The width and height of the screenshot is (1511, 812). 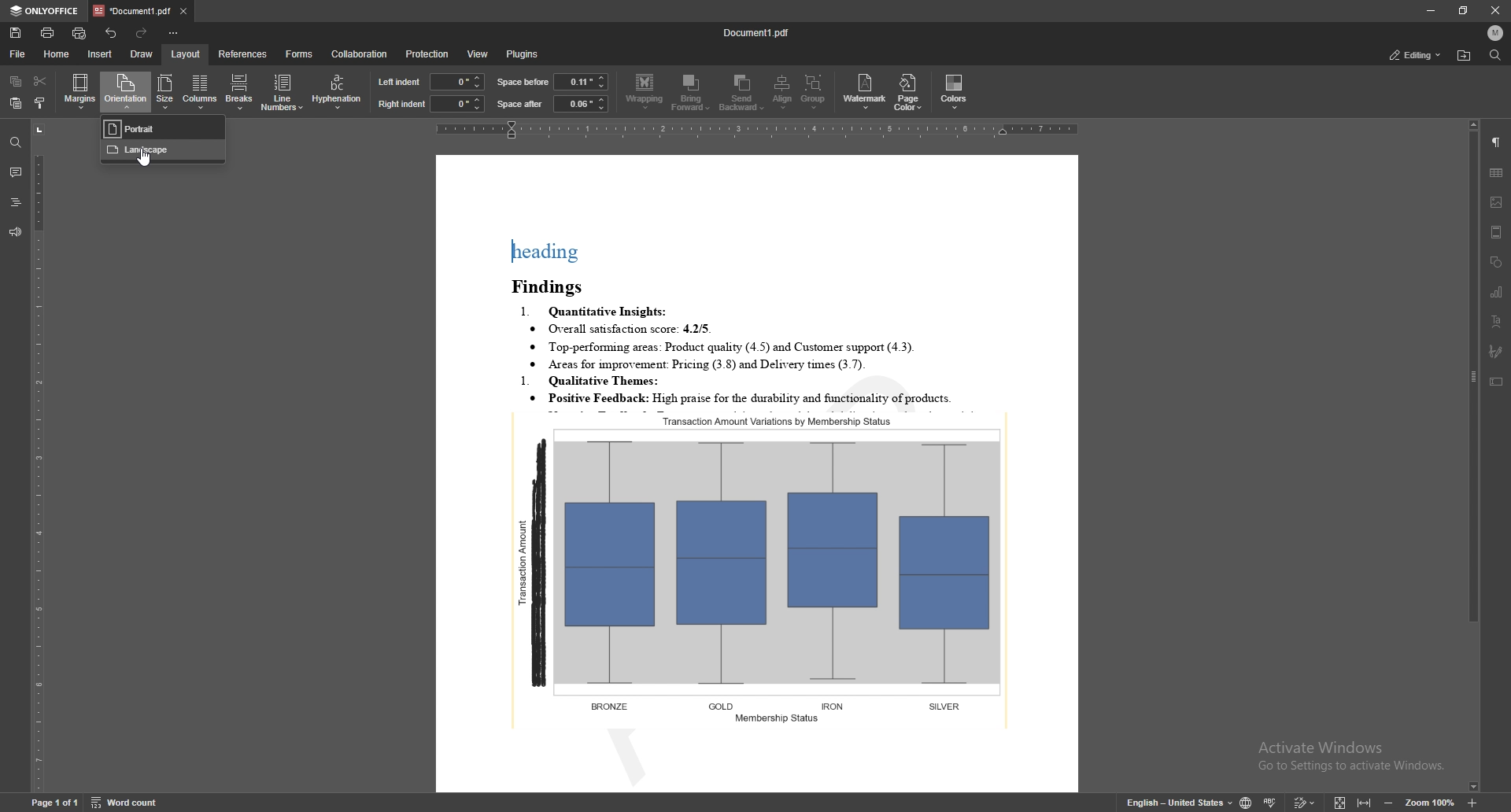 What do you see at coordinates (142, 161) in the screenshot?
I see `cursor` at bounding box center [142, 161].